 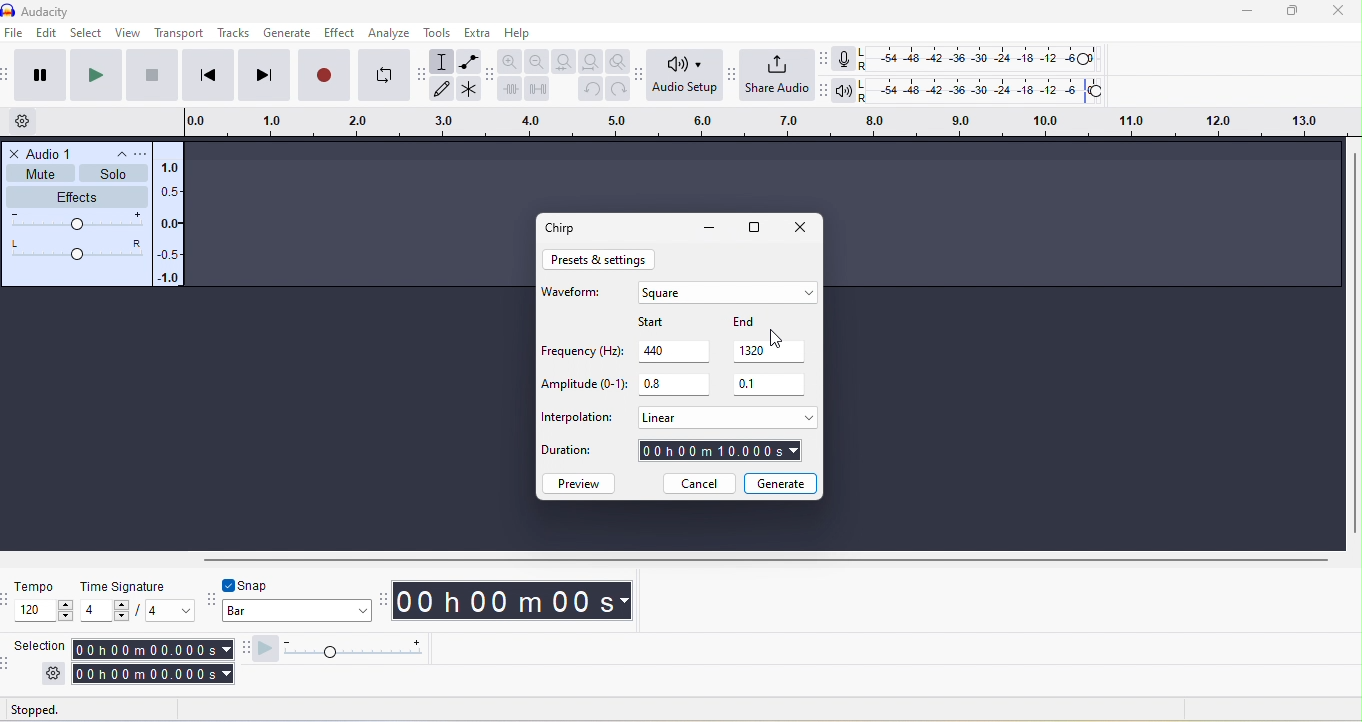 I want to click on volume, so click(x=77, y=223).